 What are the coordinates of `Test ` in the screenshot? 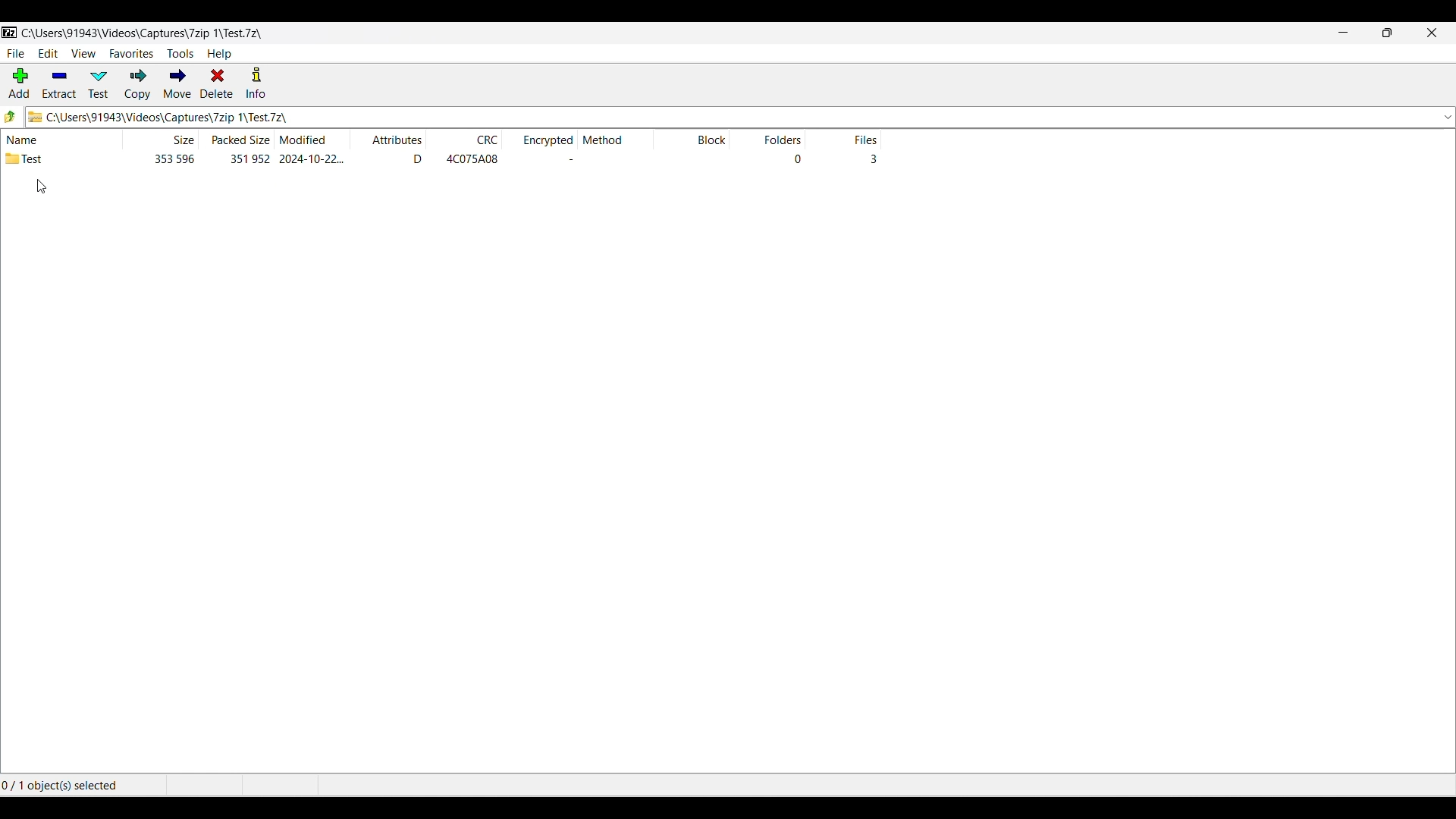 It's located at (59, 158).